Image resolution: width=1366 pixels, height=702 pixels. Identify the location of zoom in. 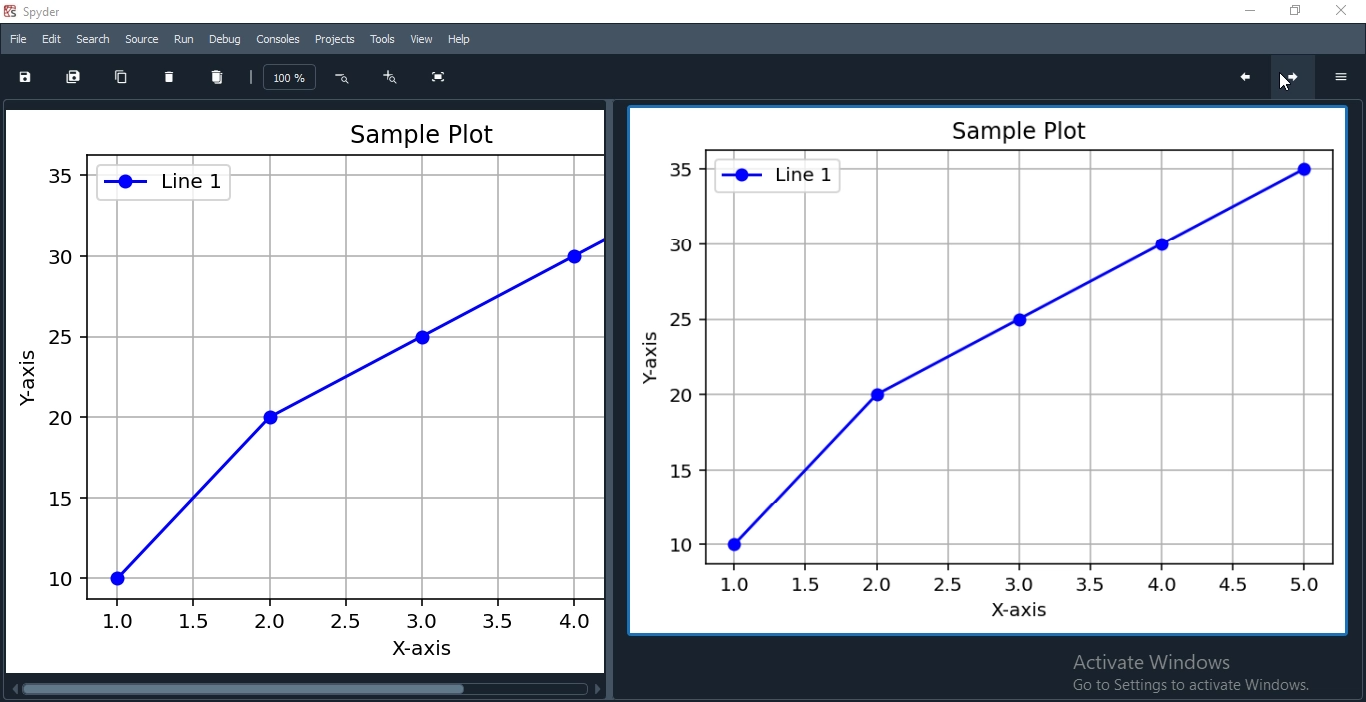
(391, 77).